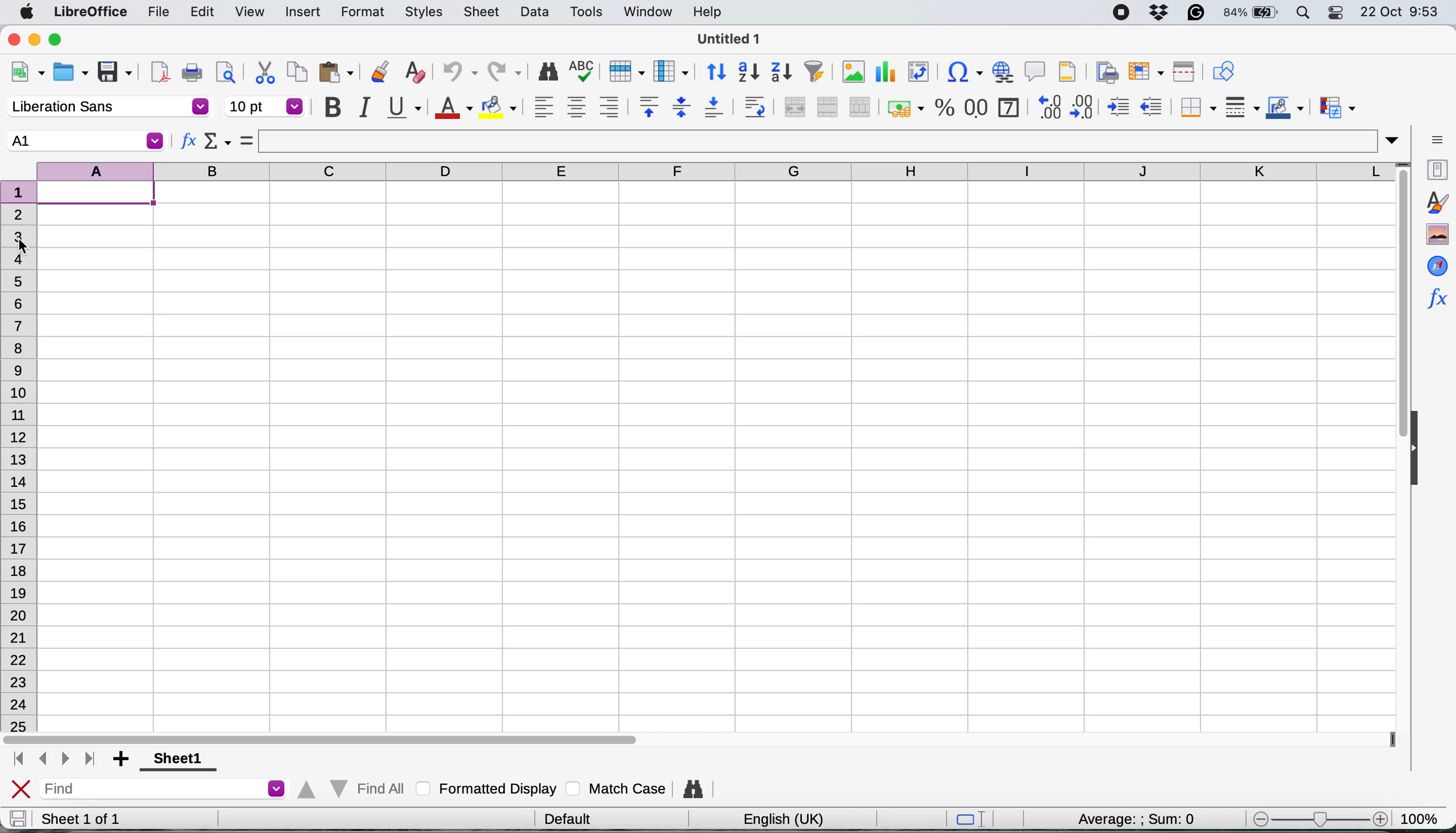  I want to click on redo, so click(506, 73).